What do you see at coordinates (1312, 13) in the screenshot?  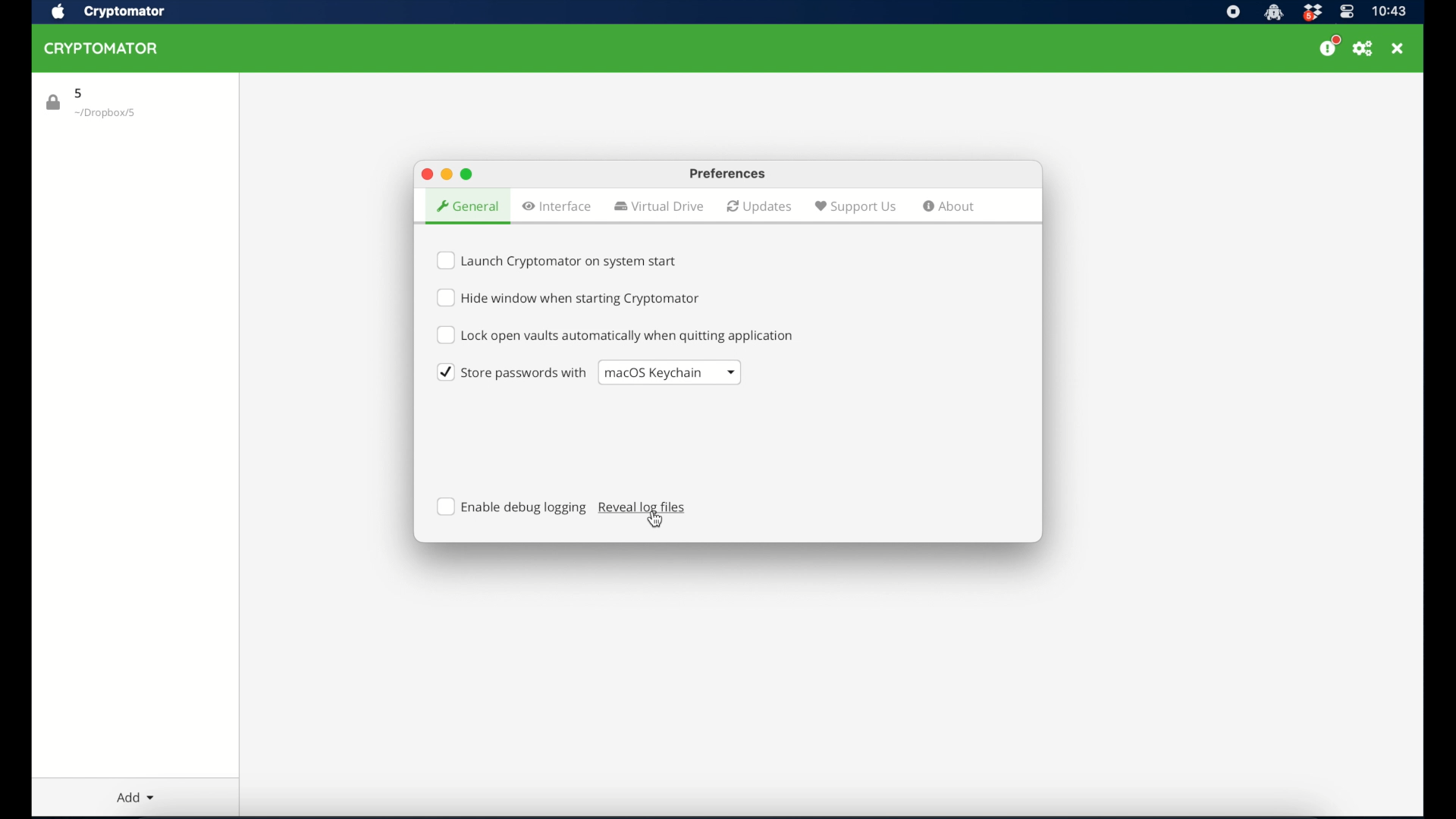 I see `dropbox icon` at bounding box center [1312, 13].